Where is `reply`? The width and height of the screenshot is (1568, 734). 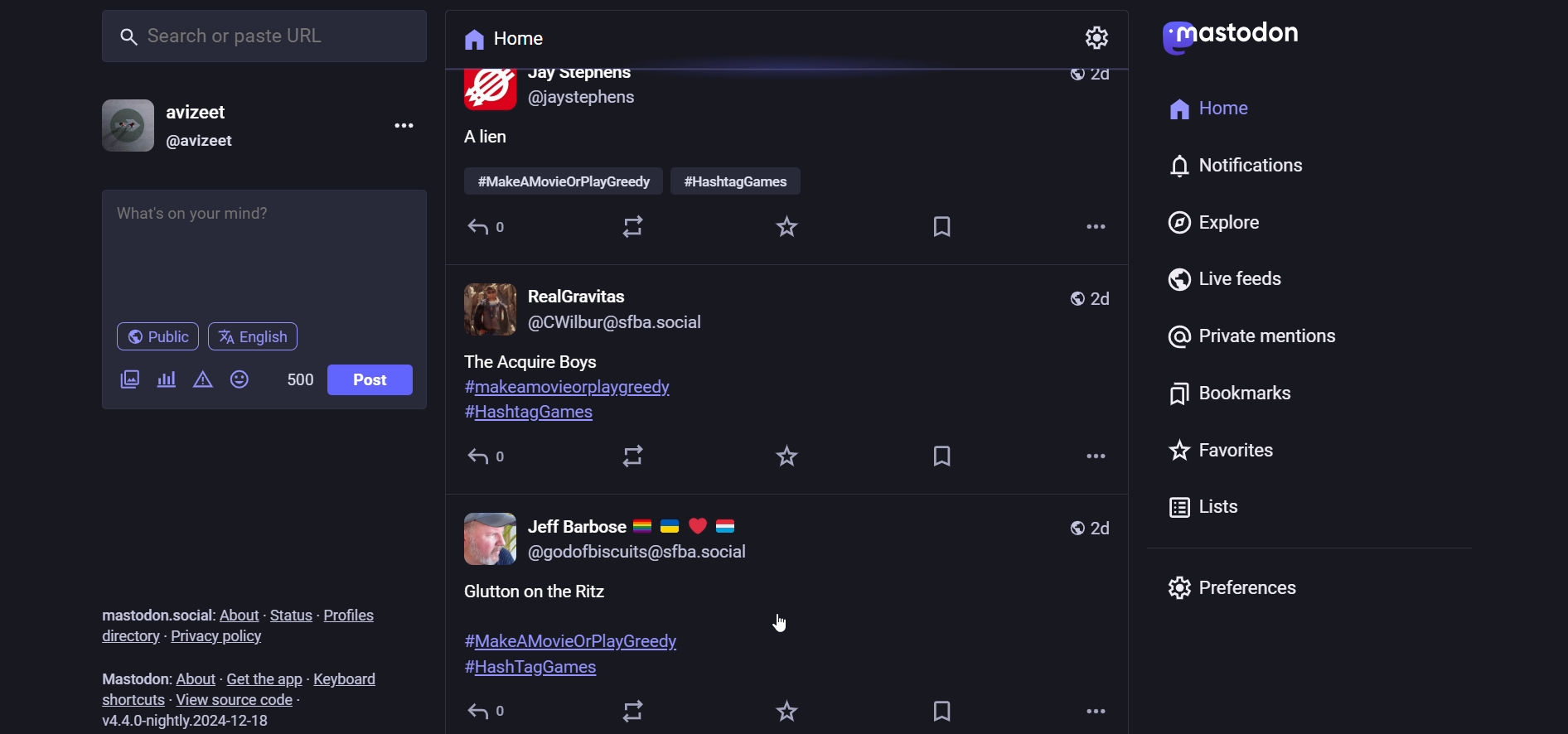
reply is located at coordinates (491, 229).